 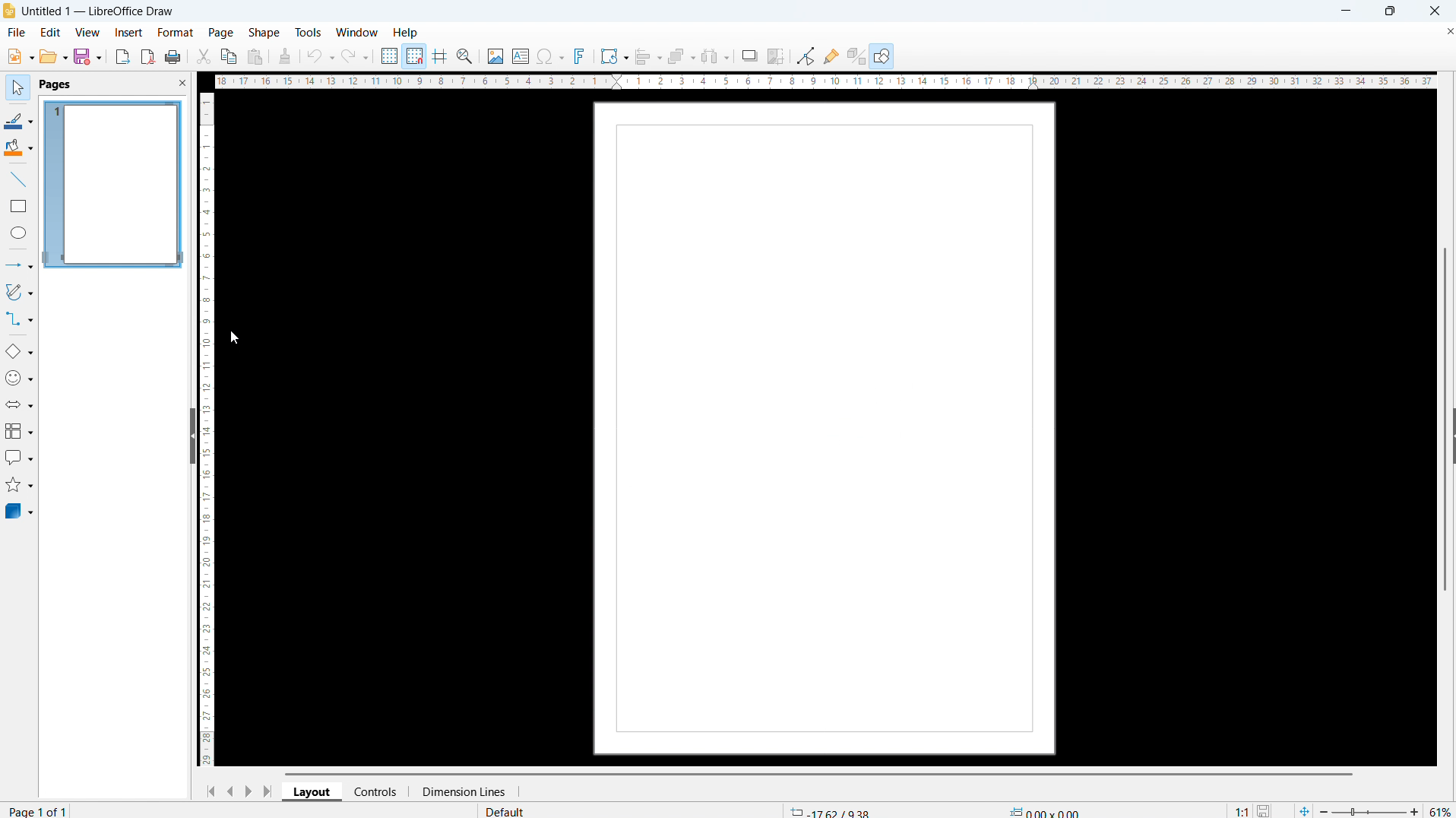 I want to click on page, so click(x=822, y=429).